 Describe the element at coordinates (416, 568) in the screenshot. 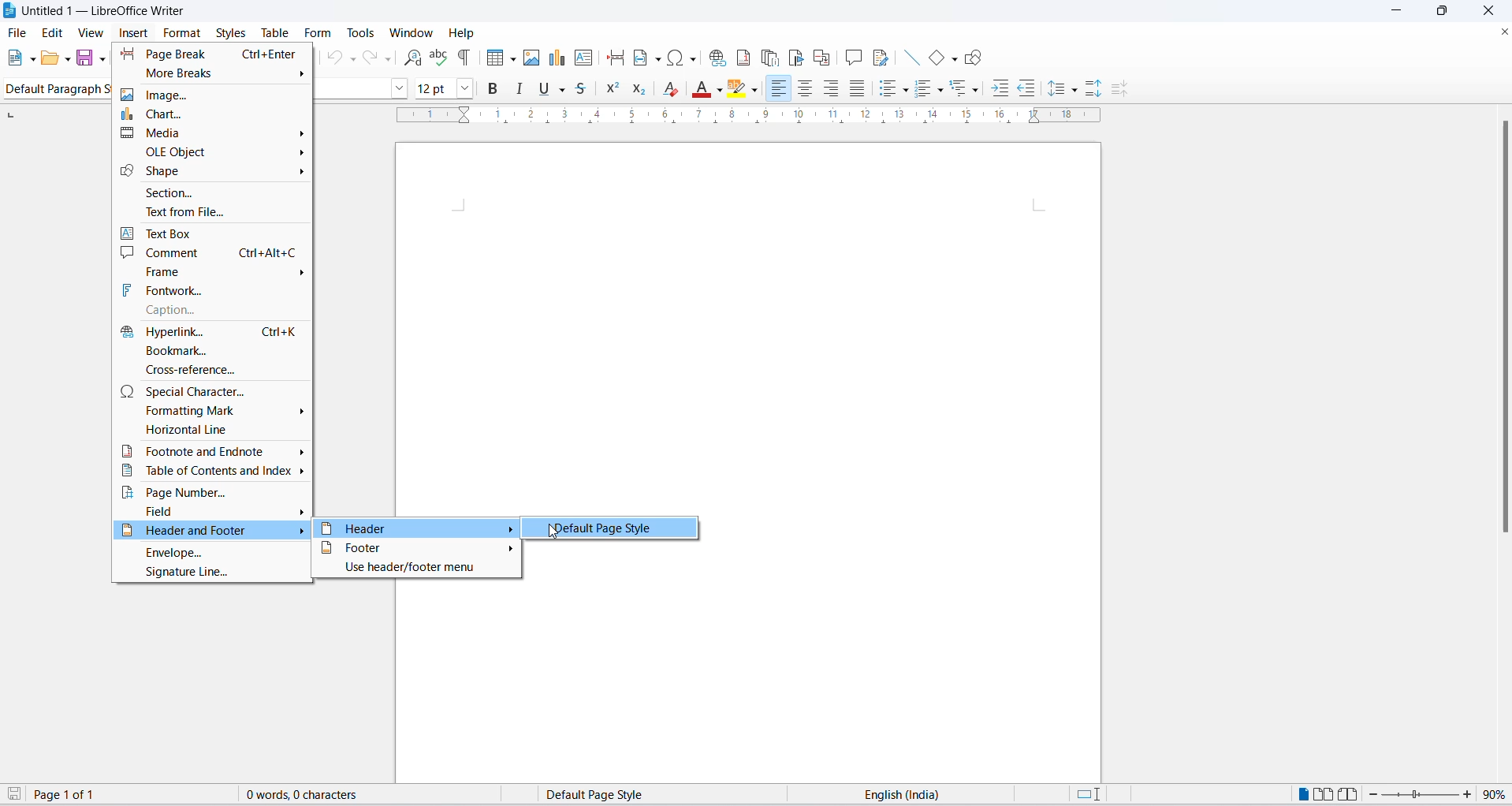

I see `use header/footer menu` at that location.